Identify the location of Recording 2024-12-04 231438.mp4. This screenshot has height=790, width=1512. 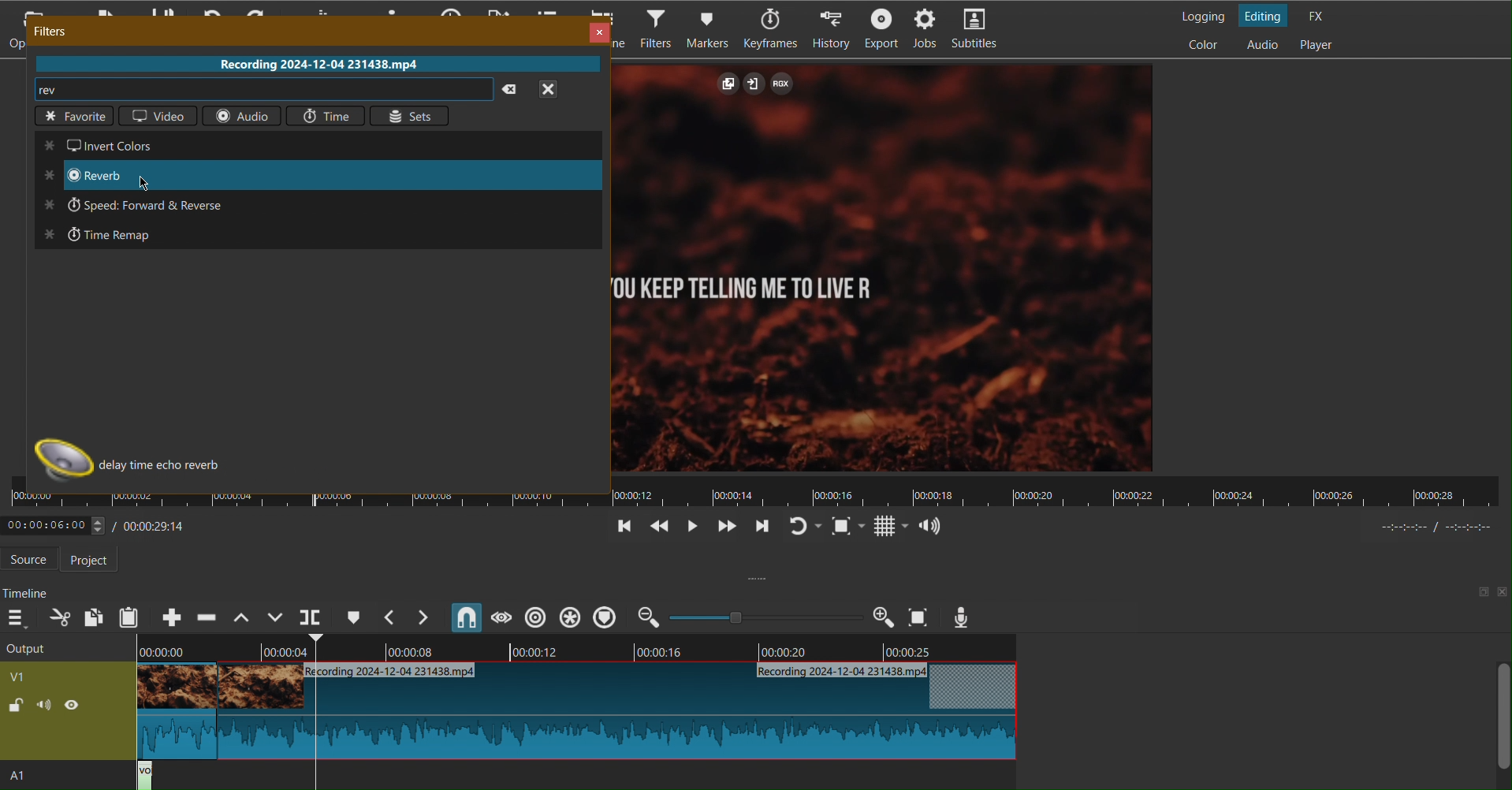
(312, 63).